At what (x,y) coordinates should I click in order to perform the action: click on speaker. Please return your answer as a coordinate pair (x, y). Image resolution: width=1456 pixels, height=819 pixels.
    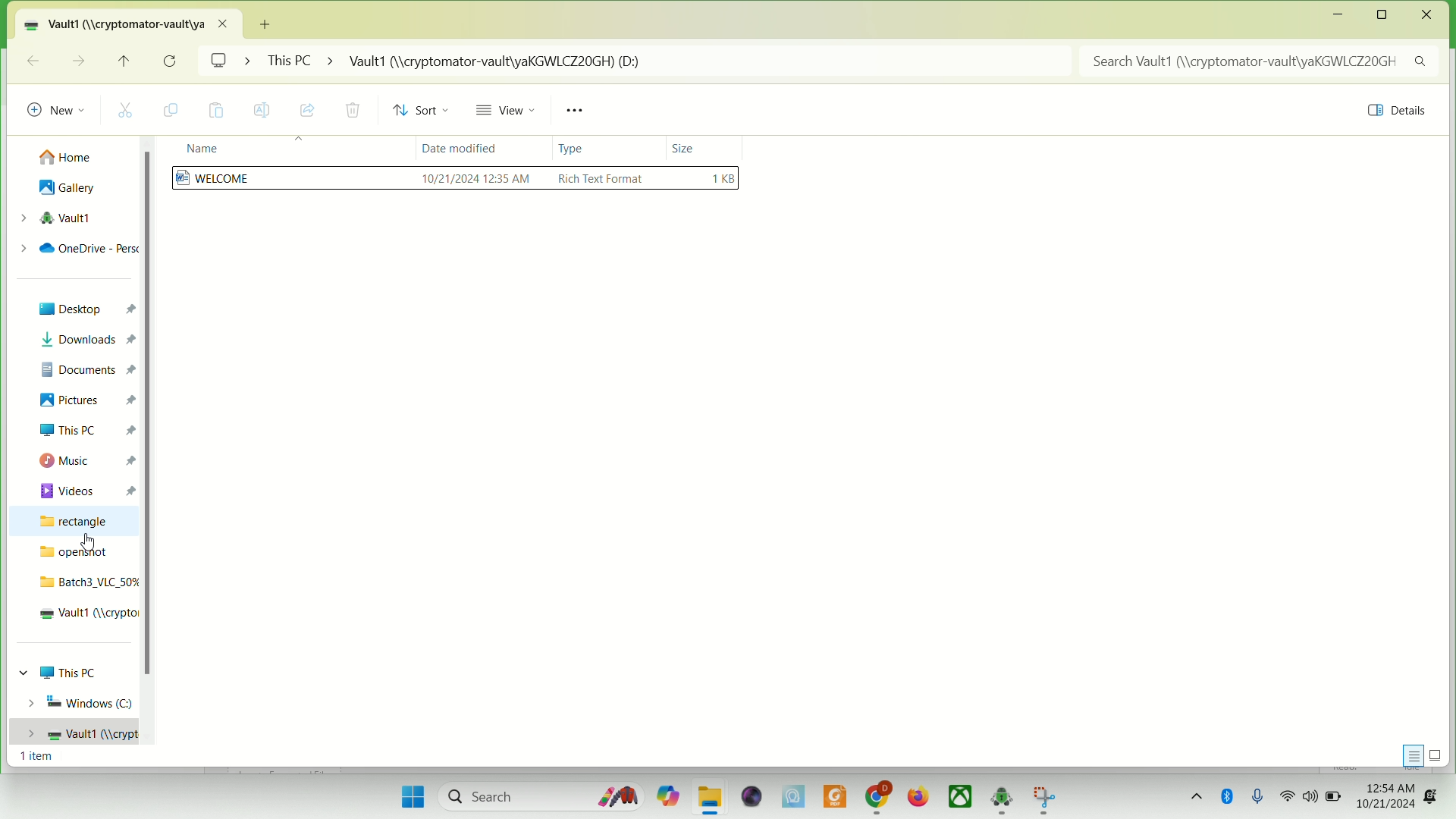
    Looking at the image, I should click on (1311, 799).